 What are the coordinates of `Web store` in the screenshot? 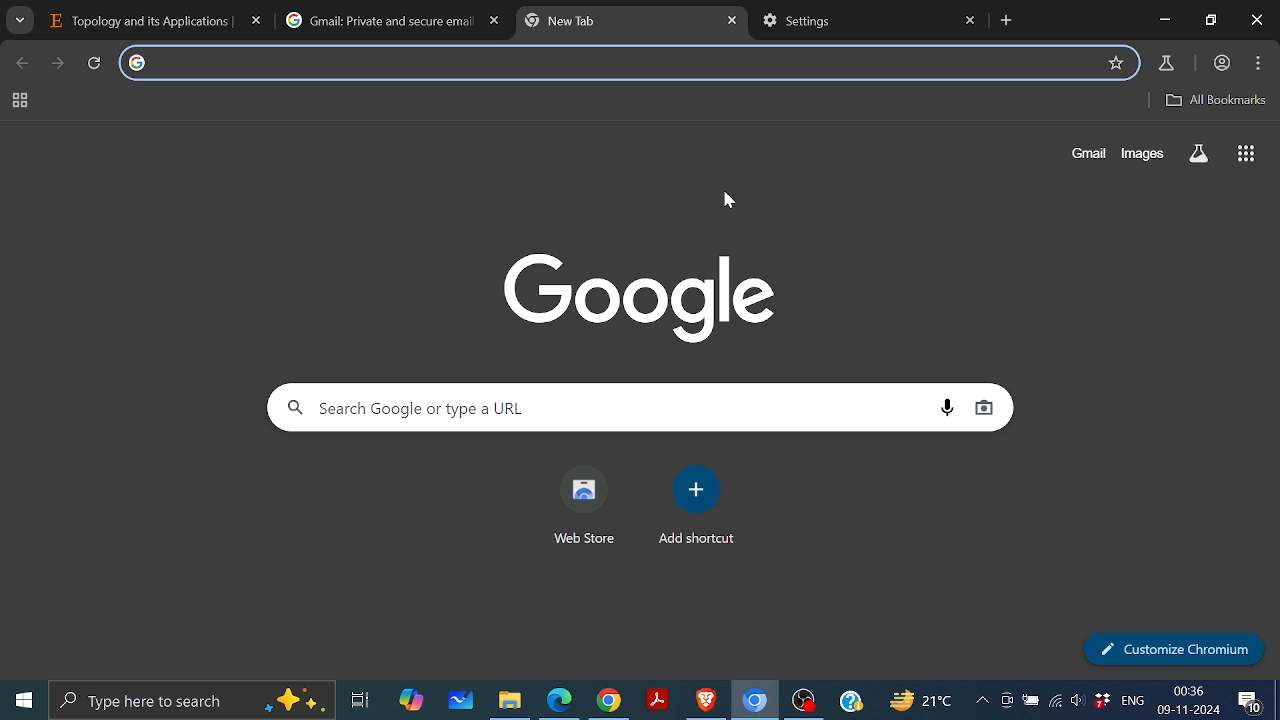 It's located at (583, 504).